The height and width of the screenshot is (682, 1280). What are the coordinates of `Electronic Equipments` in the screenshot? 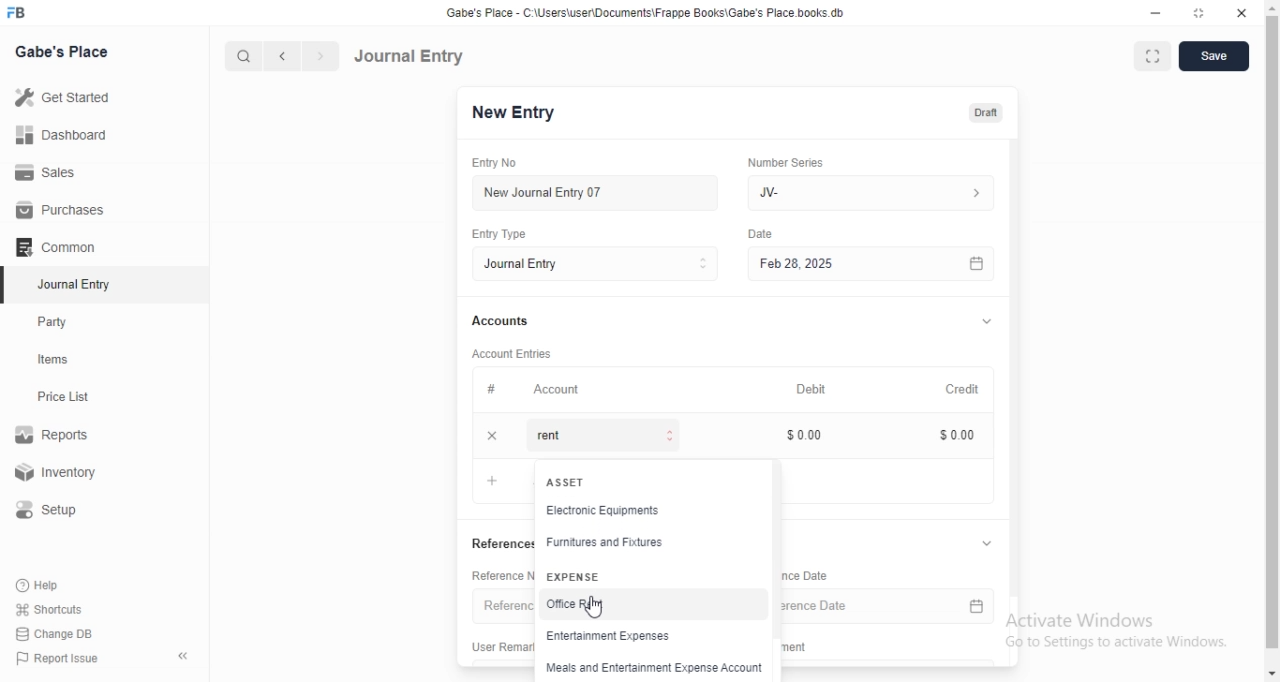 It's located at (623, 513).